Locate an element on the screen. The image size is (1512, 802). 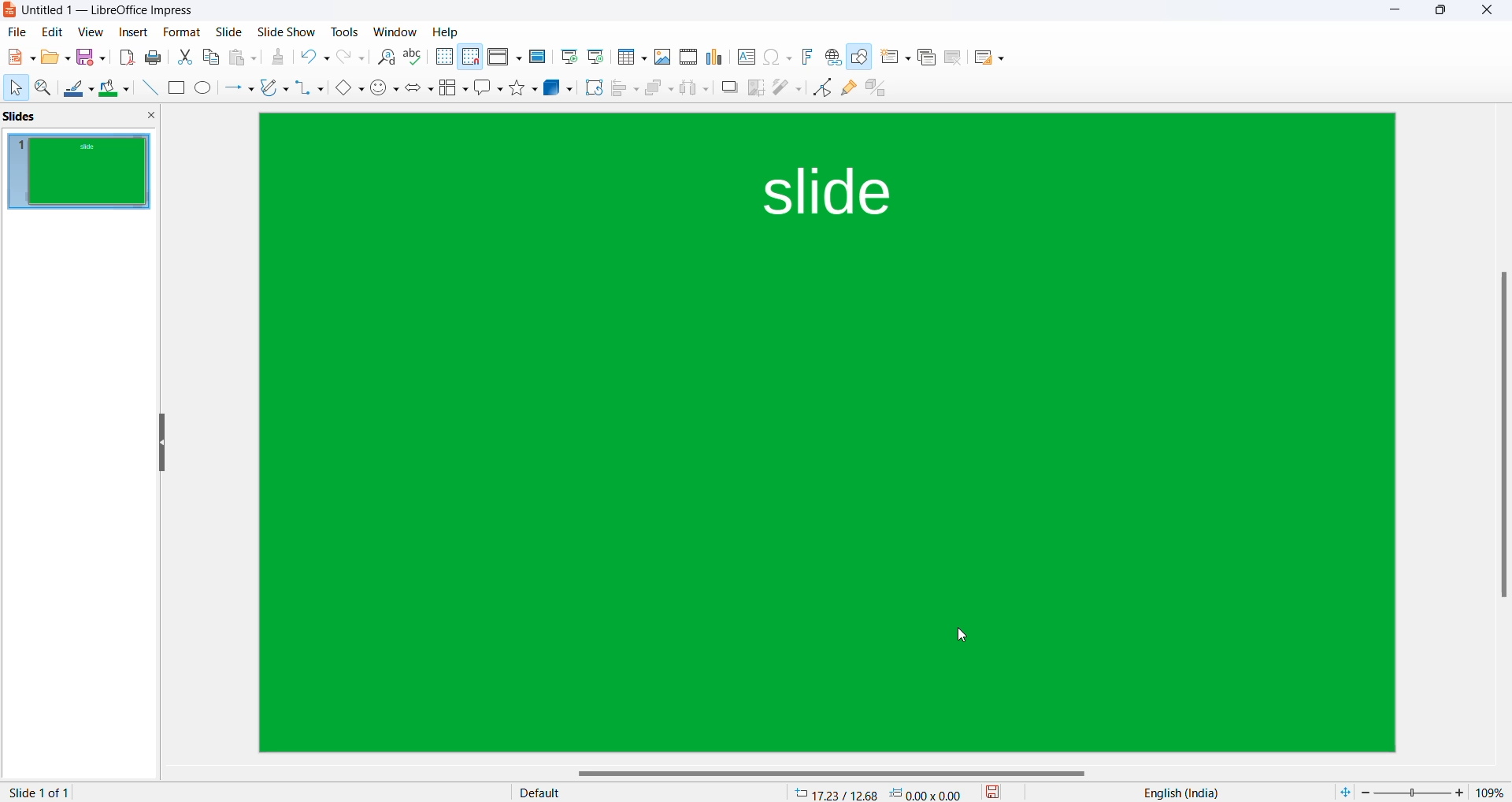
cursor coordinate is located at coordinates (883, 790).